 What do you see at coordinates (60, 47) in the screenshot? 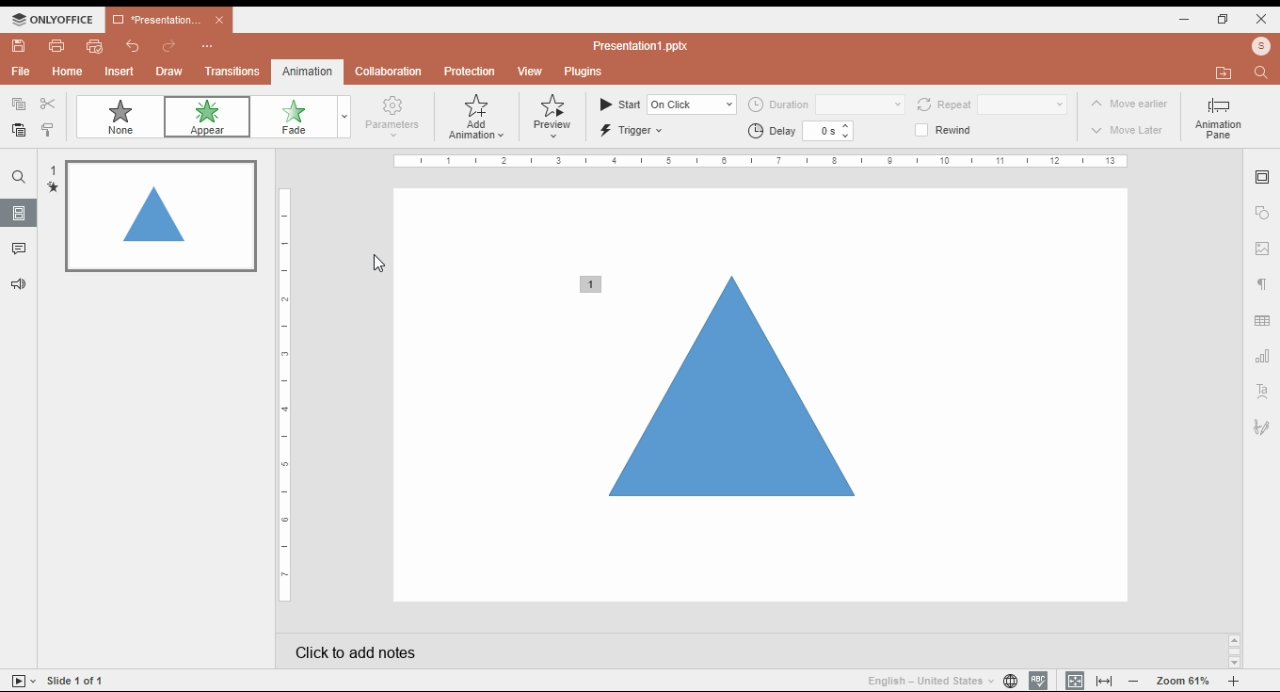
I see `print file` at bounding box center [60, 47].